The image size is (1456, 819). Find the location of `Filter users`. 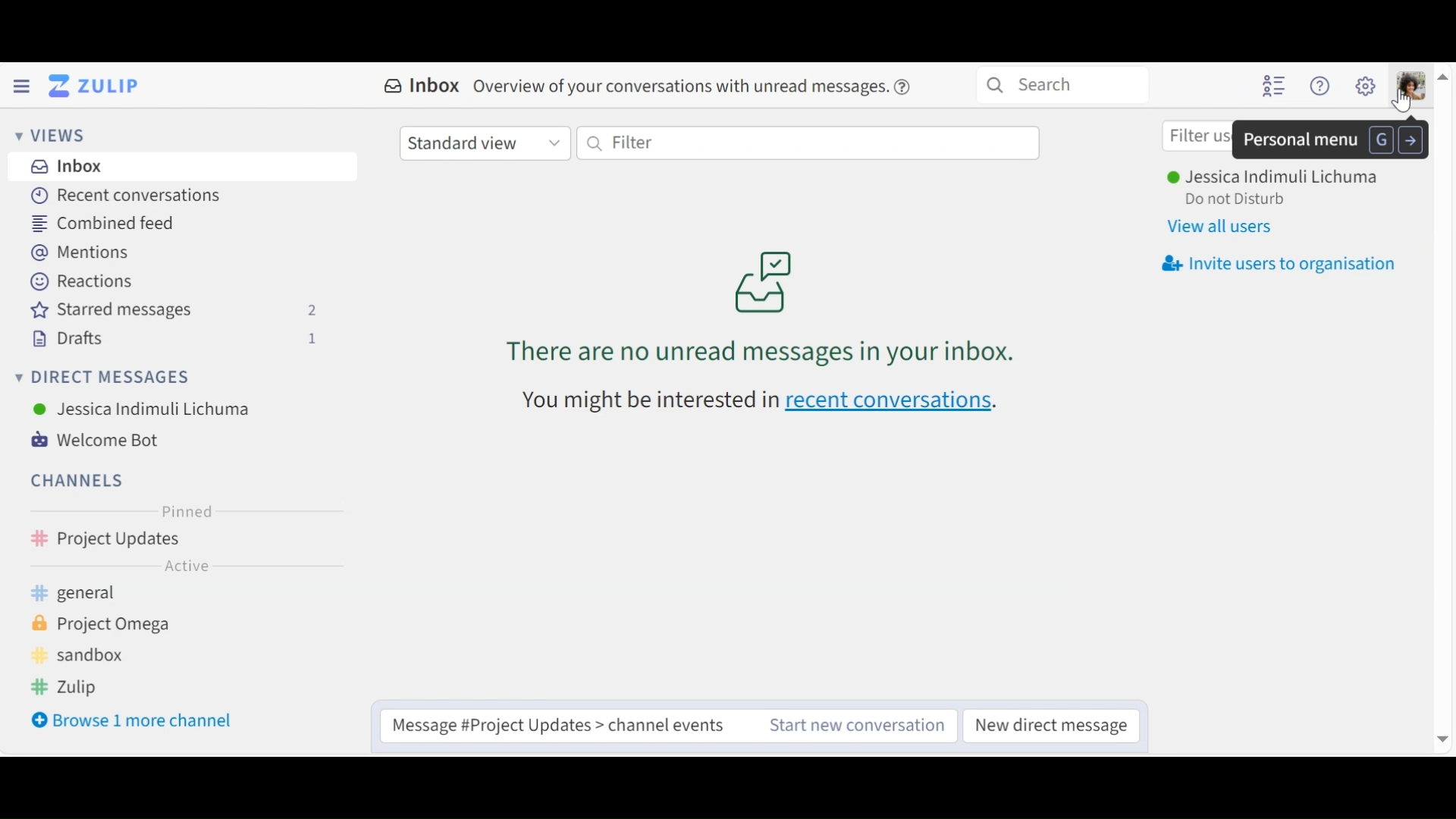

Filter users is located at coordinates (1196, 137).